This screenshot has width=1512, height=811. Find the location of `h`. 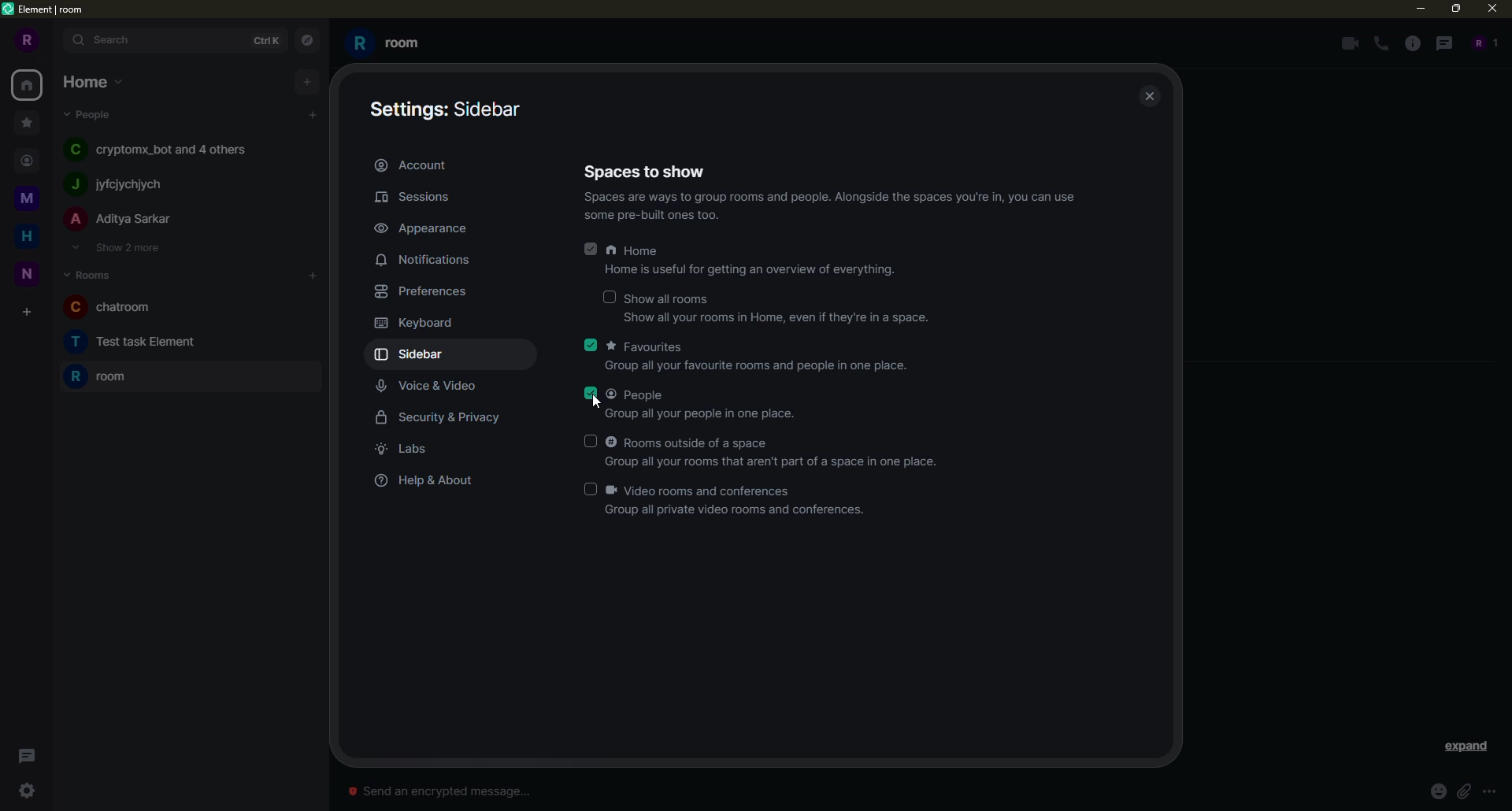

h is located at coordinates (27, 158).